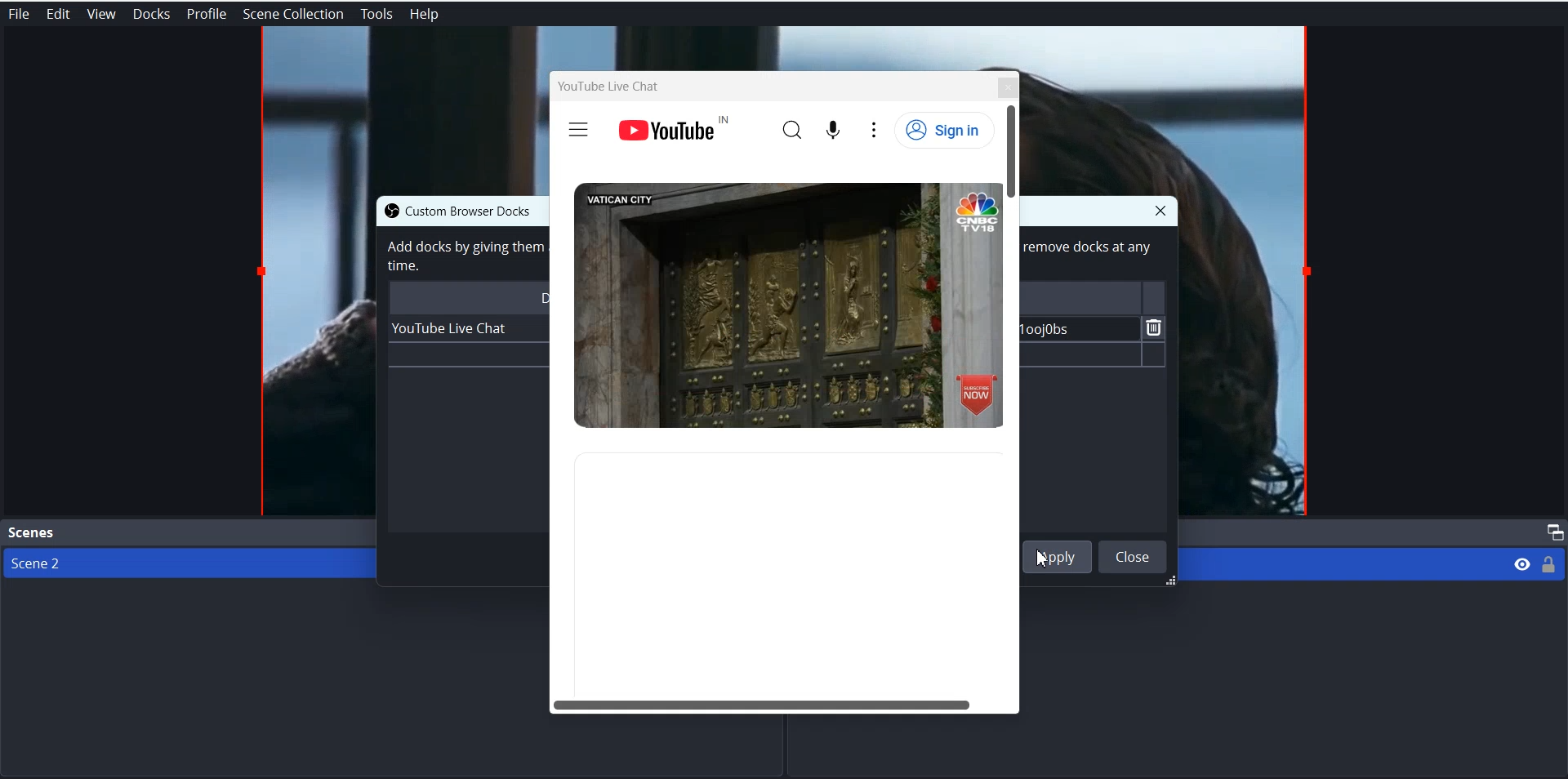  What do you see at coordinates (294, 14) in the screenshot?
I see `Scene Collection` at bounding box center [294, 14].